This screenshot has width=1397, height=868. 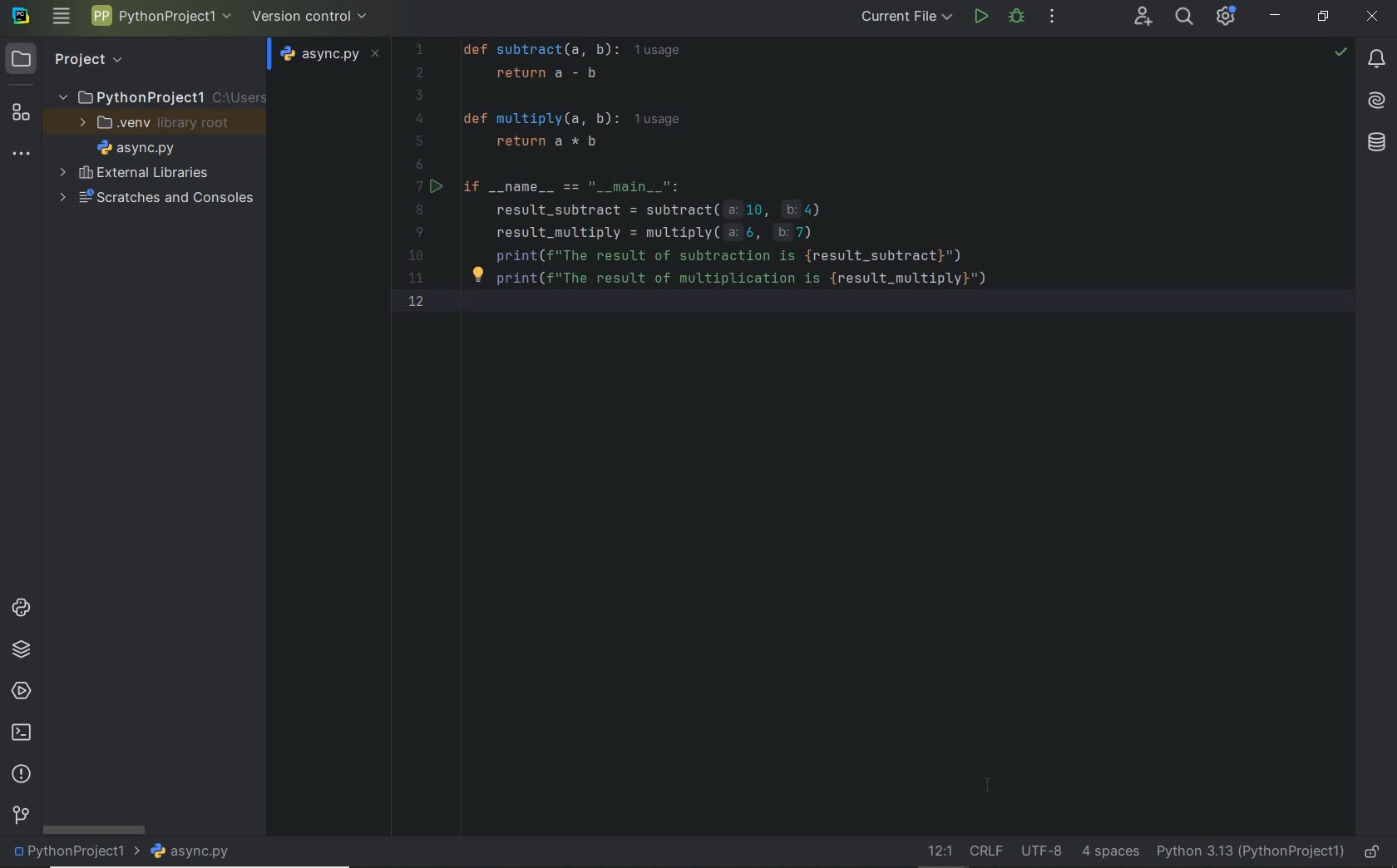 I want to click on database, so click(x=1375, y=142).